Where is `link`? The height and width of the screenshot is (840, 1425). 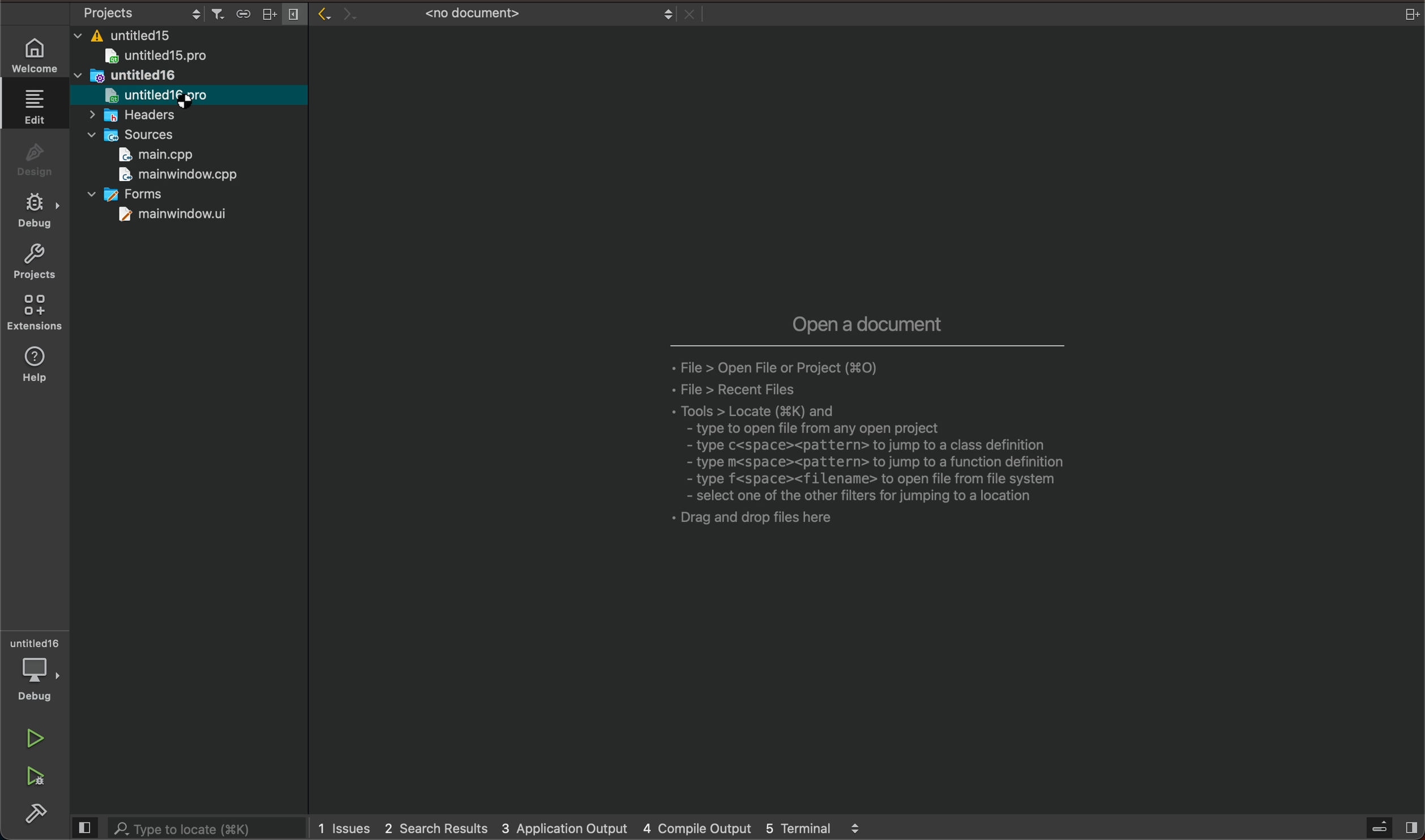 link is located at coordinates (1408, 15).